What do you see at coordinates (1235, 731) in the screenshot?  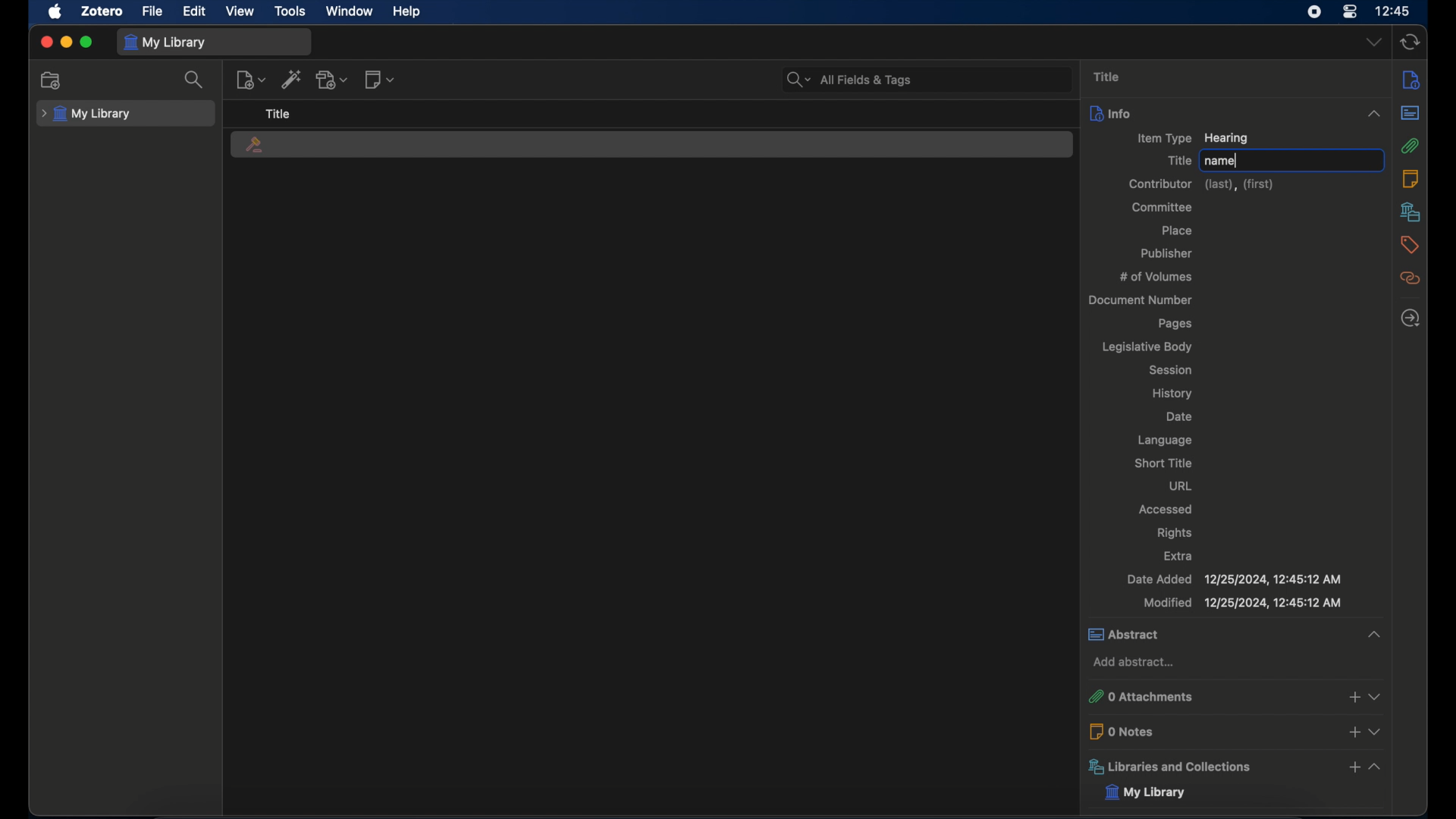 I see `0 notes` at bounding box center [1235, 731].